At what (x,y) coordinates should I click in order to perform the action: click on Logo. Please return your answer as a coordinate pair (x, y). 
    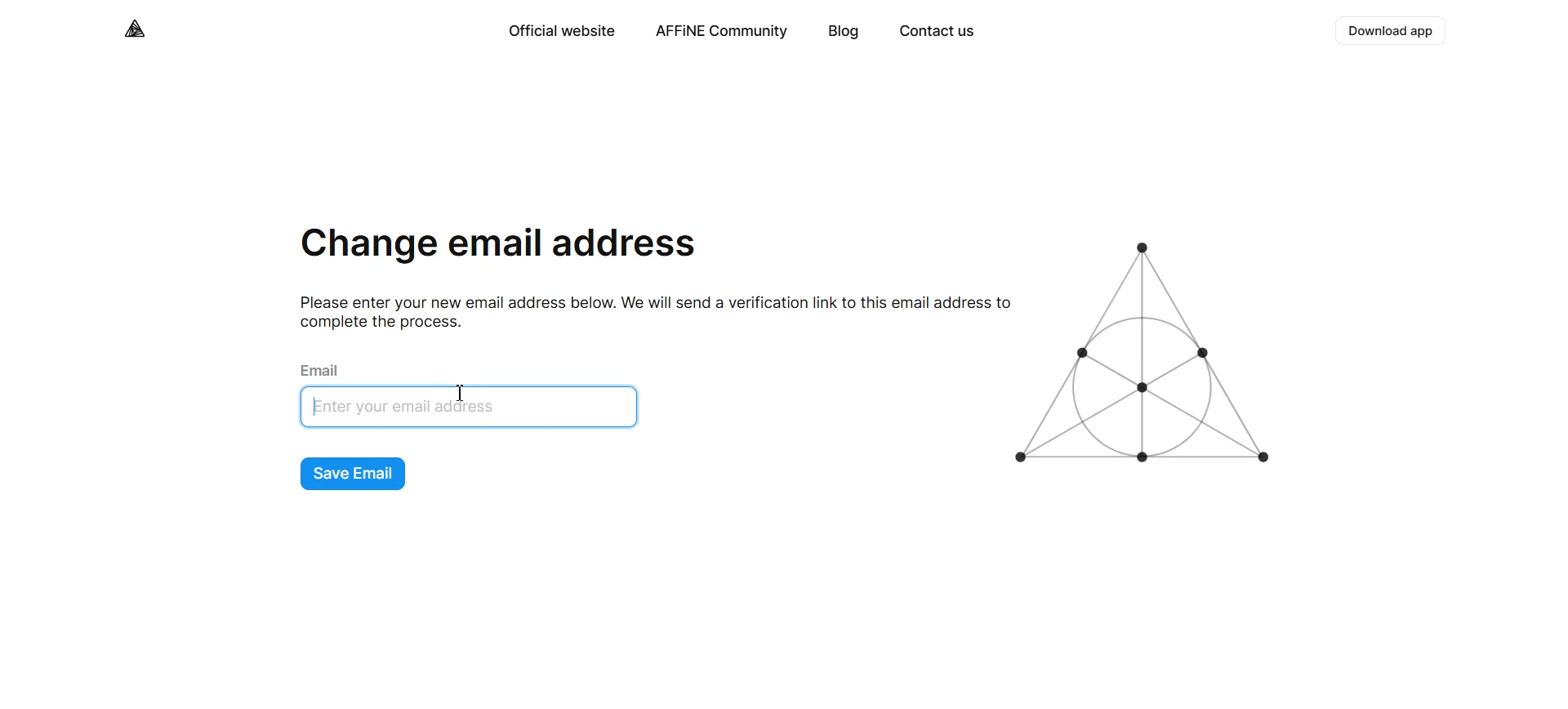
    Looking at the image, I should click on (1148, 354).